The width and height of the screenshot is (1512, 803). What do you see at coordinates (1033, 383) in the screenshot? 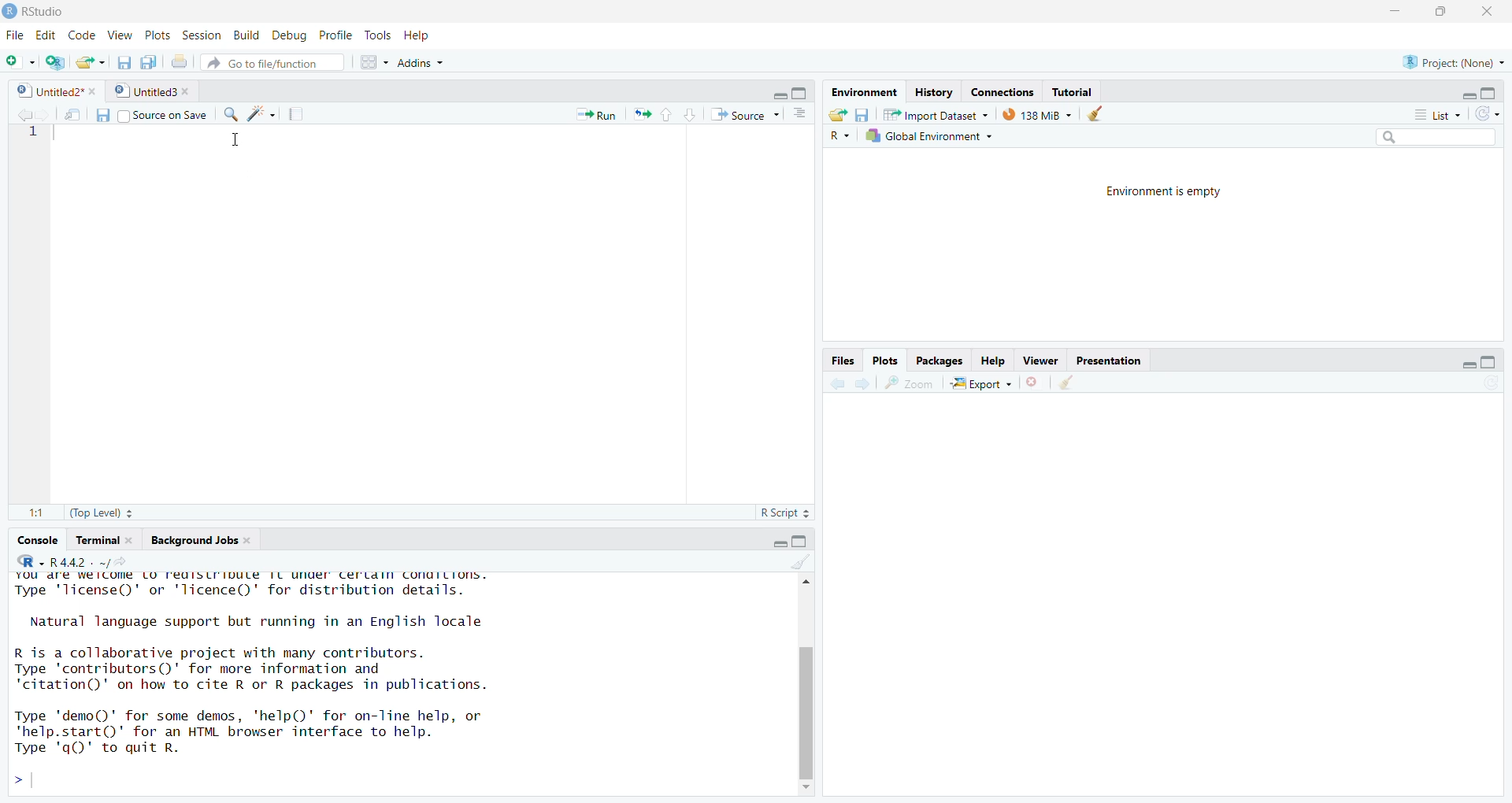
I see `Remove current viewer` at bounding box center [1033, 383].